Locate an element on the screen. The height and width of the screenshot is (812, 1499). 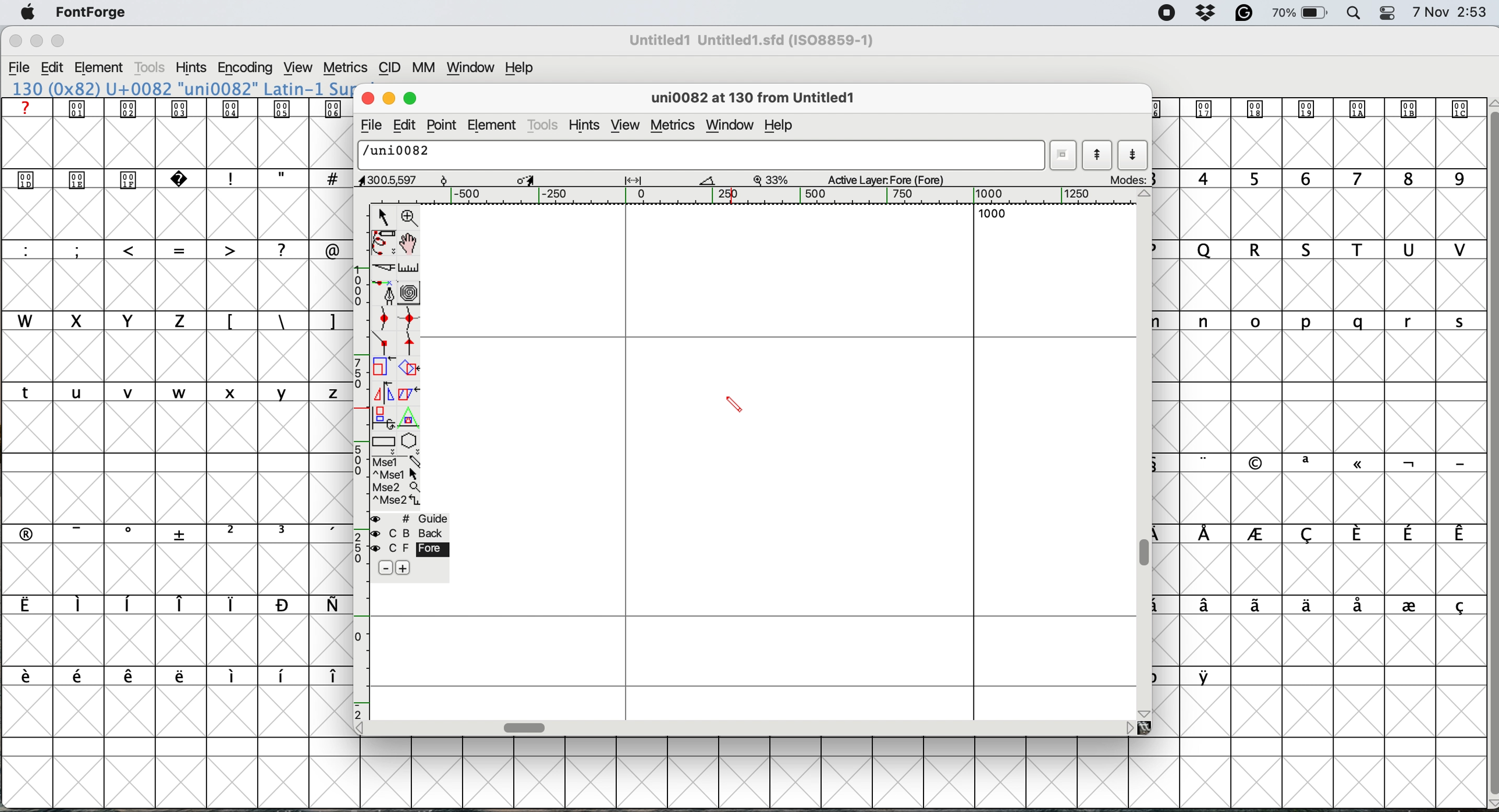
control center is located at coordinates (1391, 12).